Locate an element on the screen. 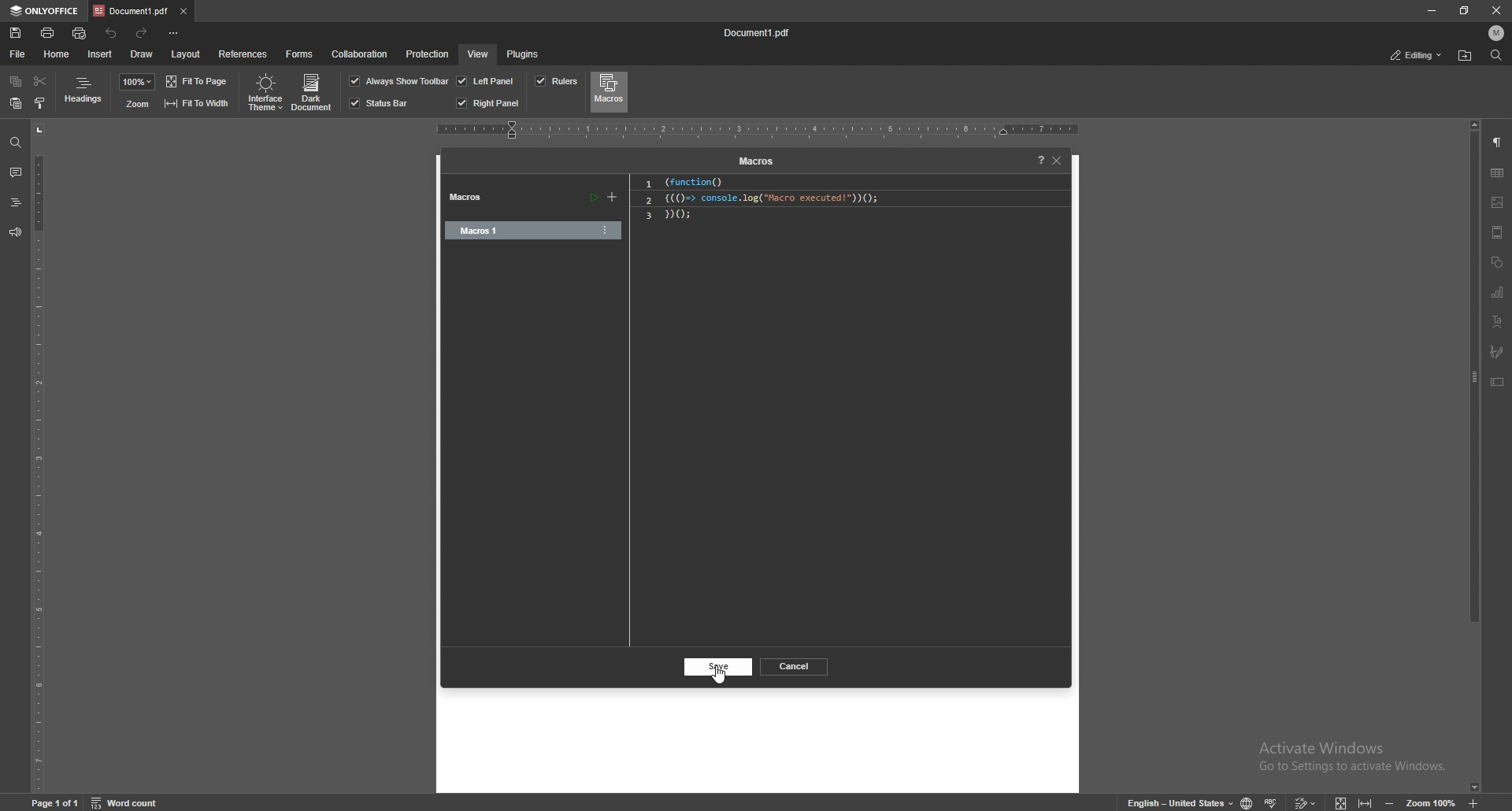 Image resolution: width=1512 pixels, height=811 pixels. tab is located at coordinates (130, 11).